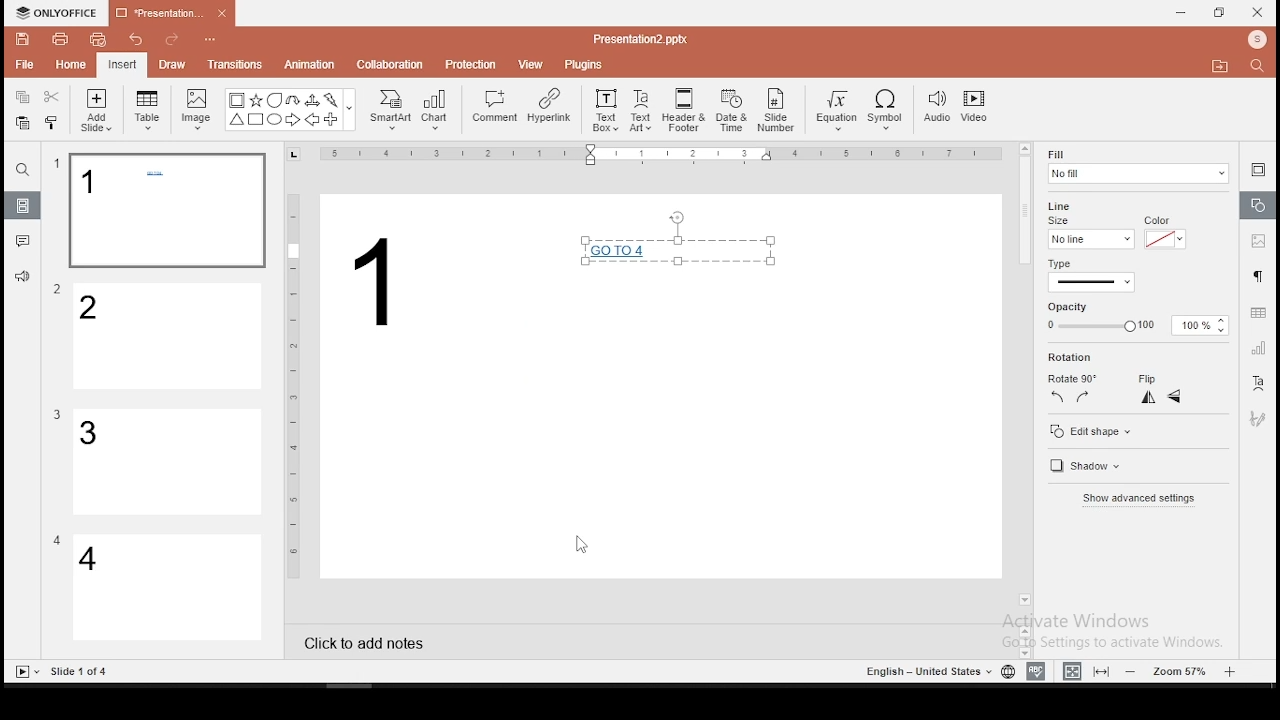 The image size is (1280, 720). What do you see at coordinates (52, 122) in the screenshot?
I see `clone formatting` at bounding box center [52, 122].